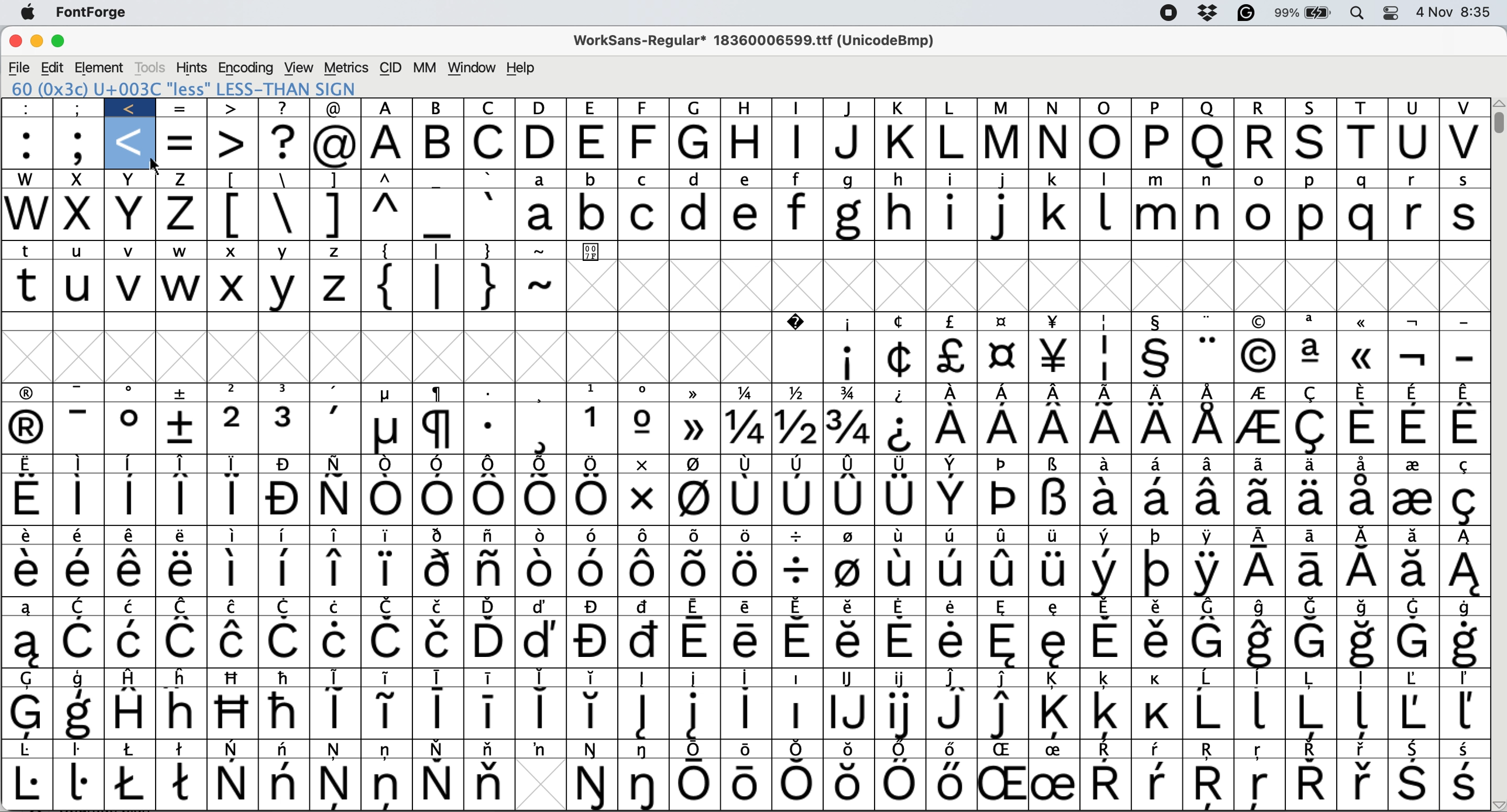 This screenshot has width=1507, height=812. Describe the element at coordinates (90, 13) in the screenshot. I see `fontforge` at that location.